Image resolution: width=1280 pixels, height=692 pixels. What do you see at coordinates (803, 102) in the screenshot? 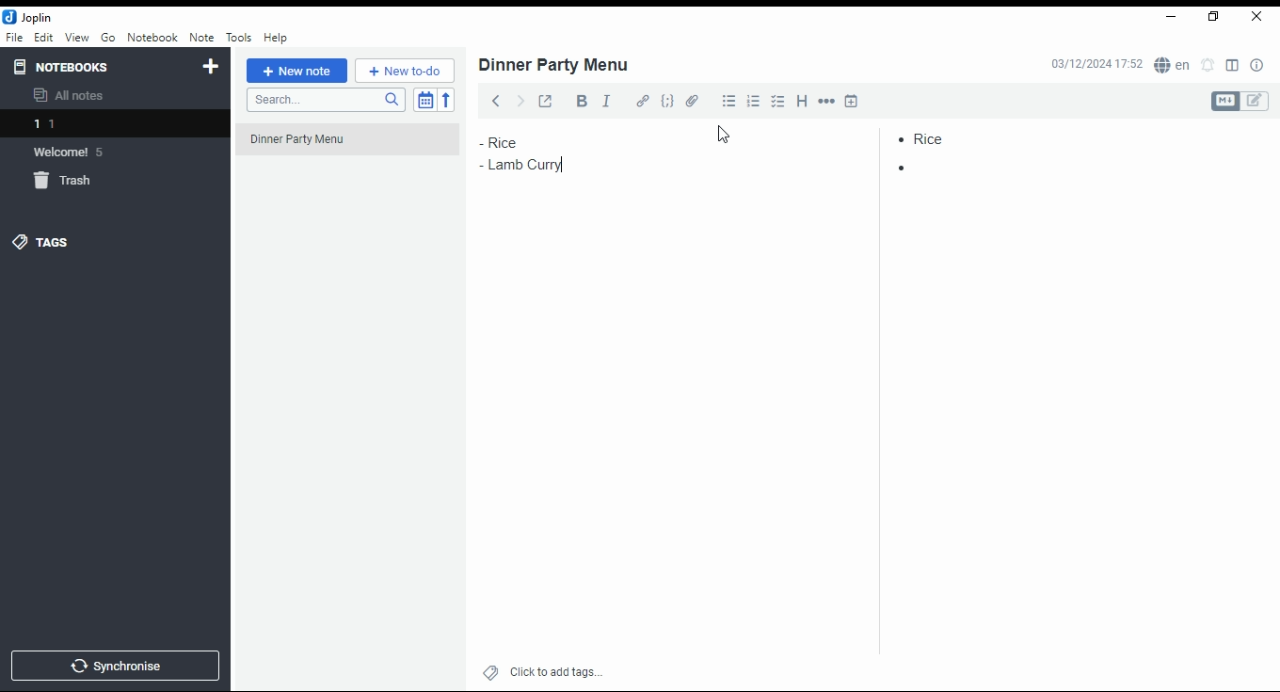
I see `heading` at bounding box center [803, 102].